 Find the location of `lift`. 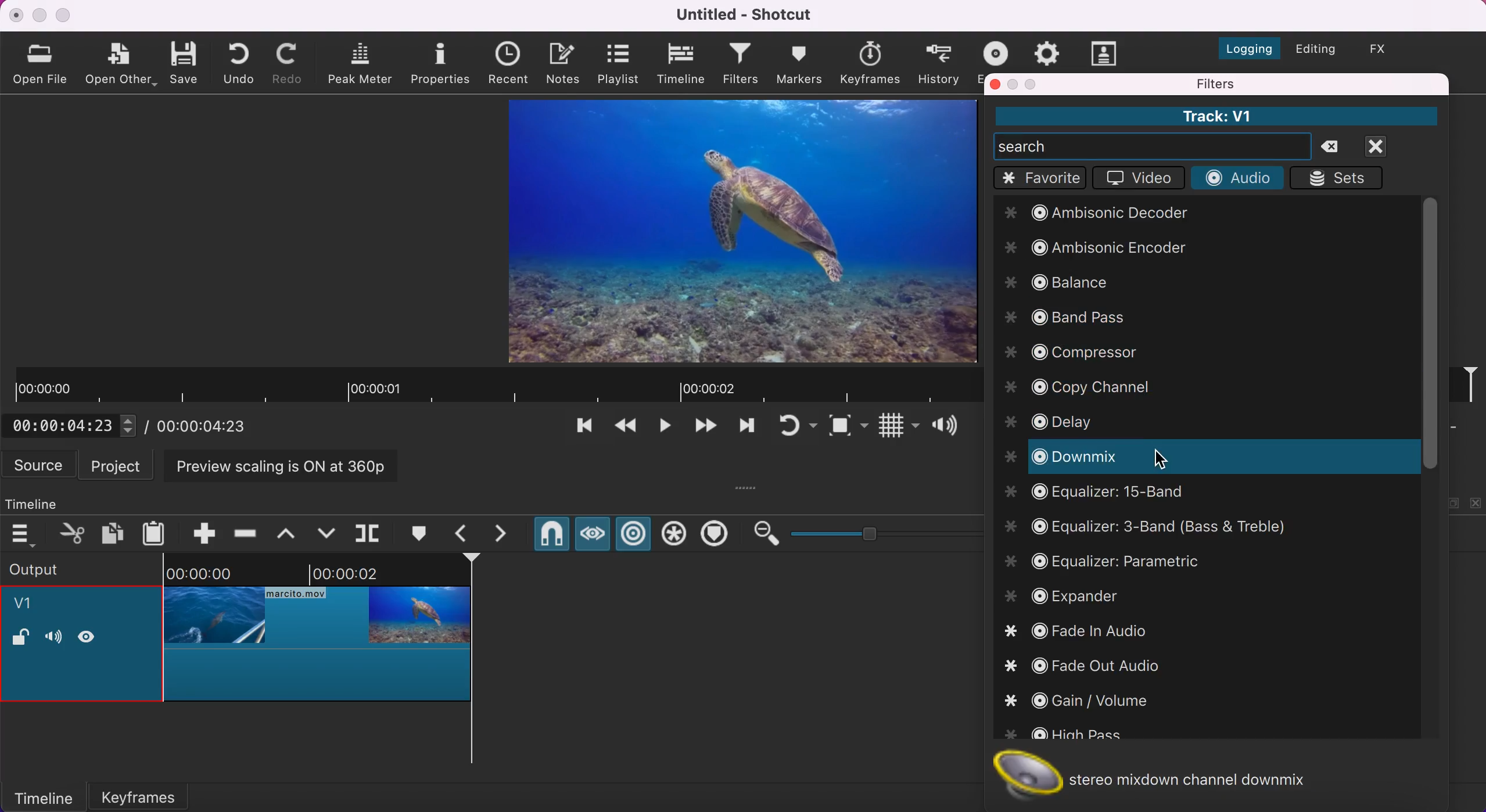

lift is located at coordinates (291, 533).